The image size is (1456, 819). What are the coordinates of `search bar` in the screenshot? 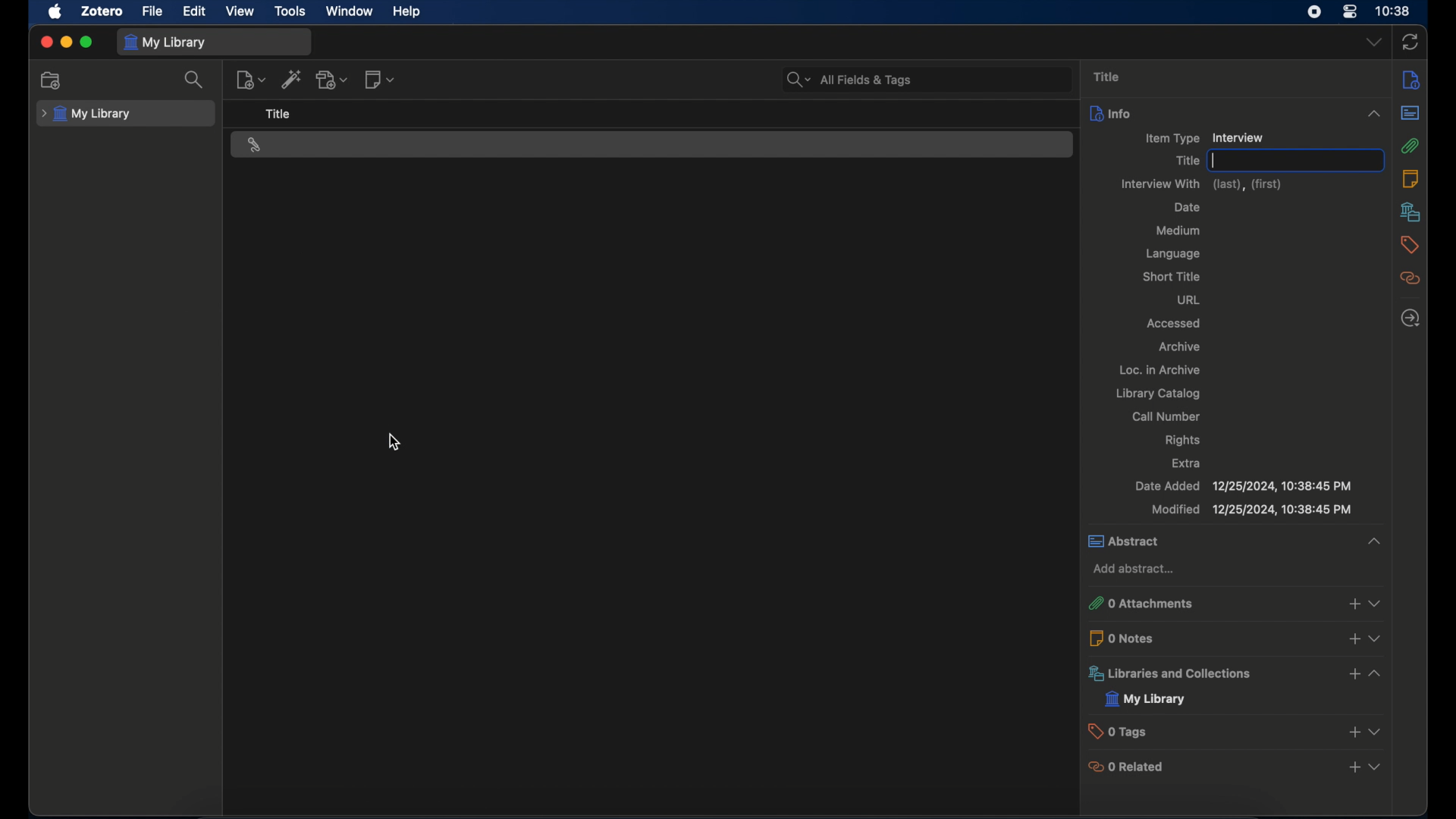 It's located at (849, 80).